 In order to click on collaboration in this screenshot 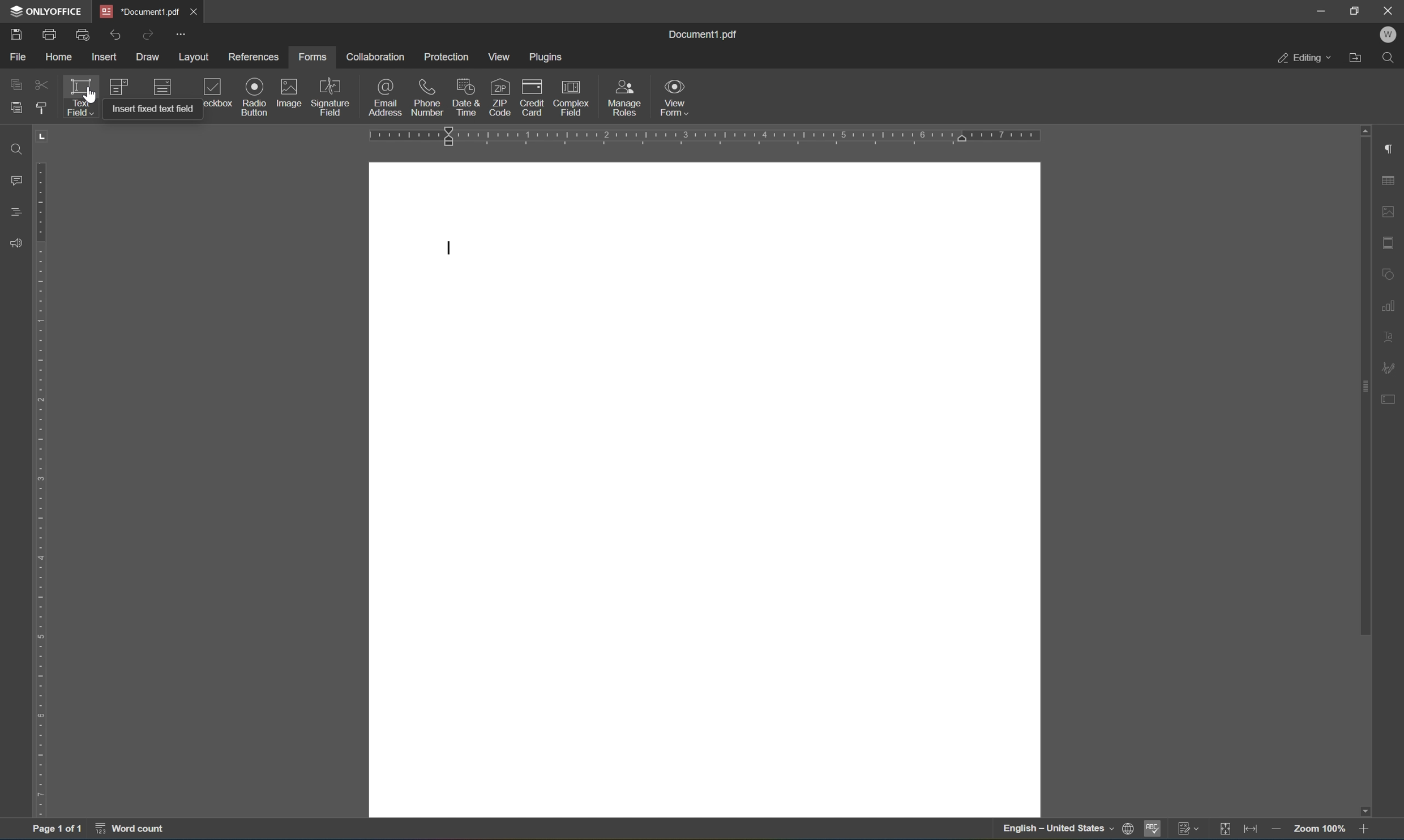, I will do `click(378, 58)`.